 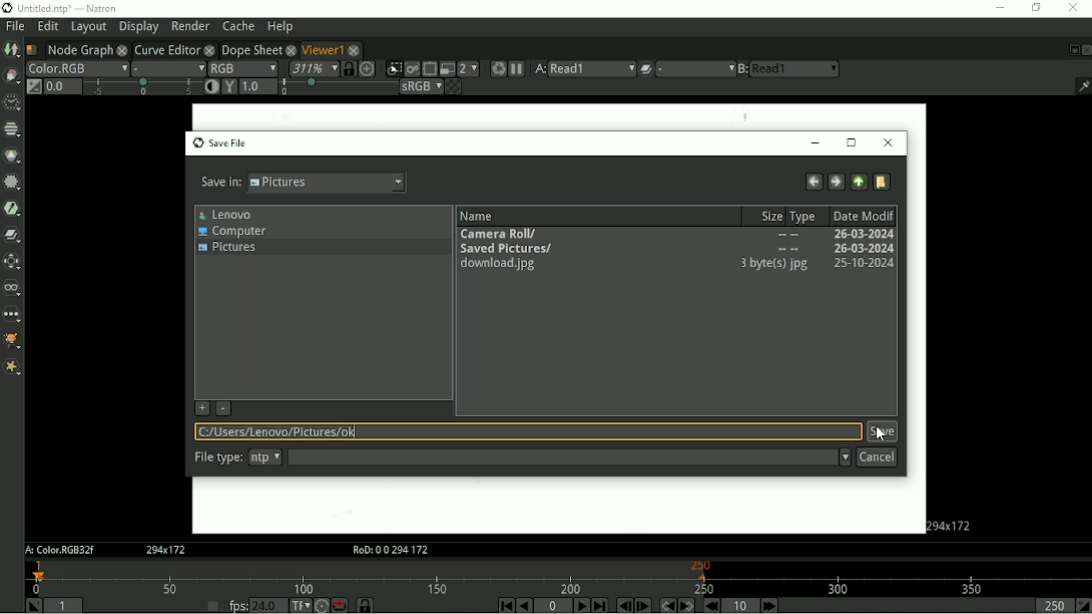 I want to click on Aspect, so click(x=166, y=551).